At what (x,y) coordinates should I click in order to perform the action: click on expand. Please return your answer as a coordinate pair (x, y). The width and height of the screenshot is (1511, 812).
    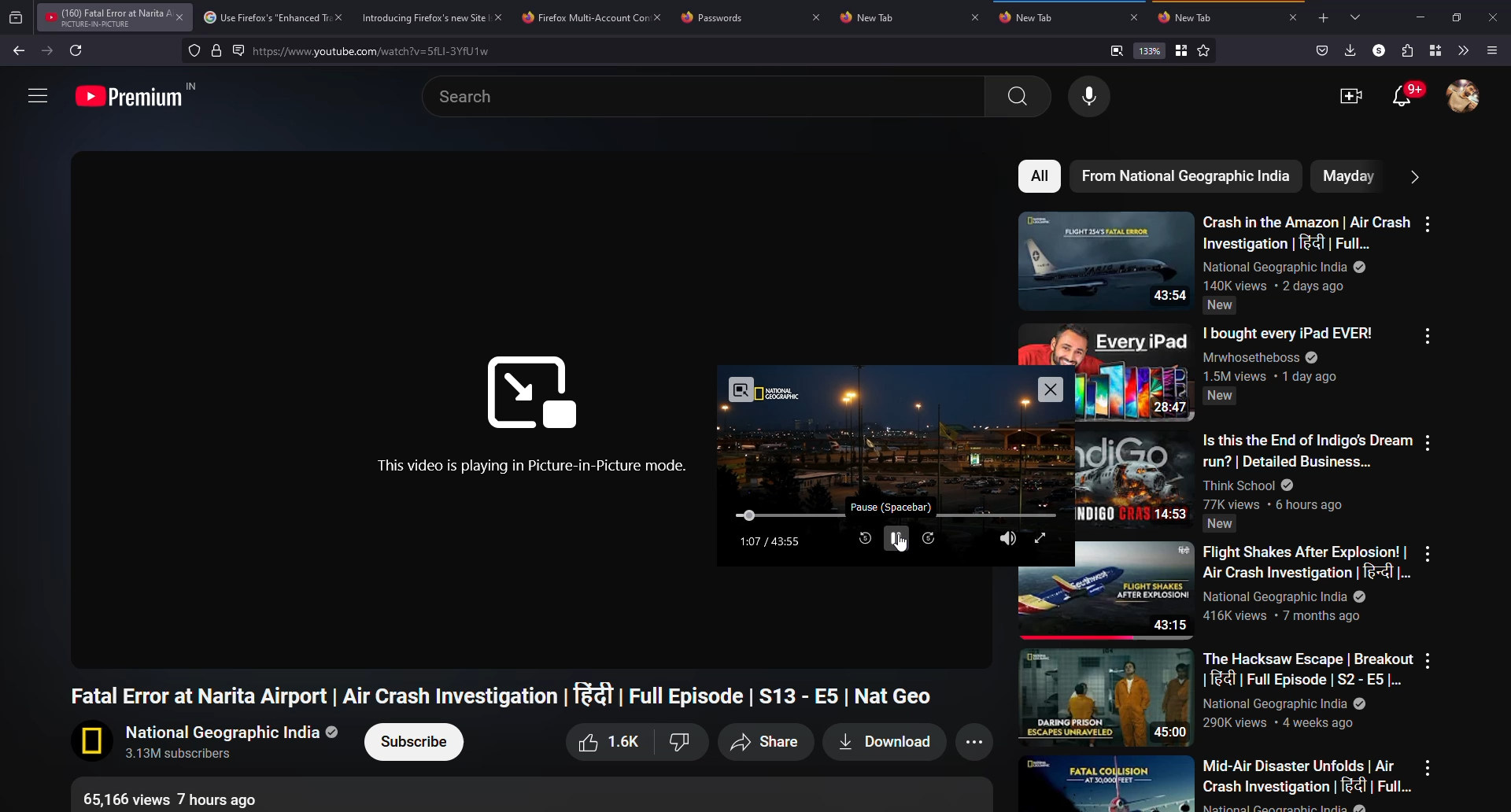
    Looking at the image, I should click on (1040, 537).